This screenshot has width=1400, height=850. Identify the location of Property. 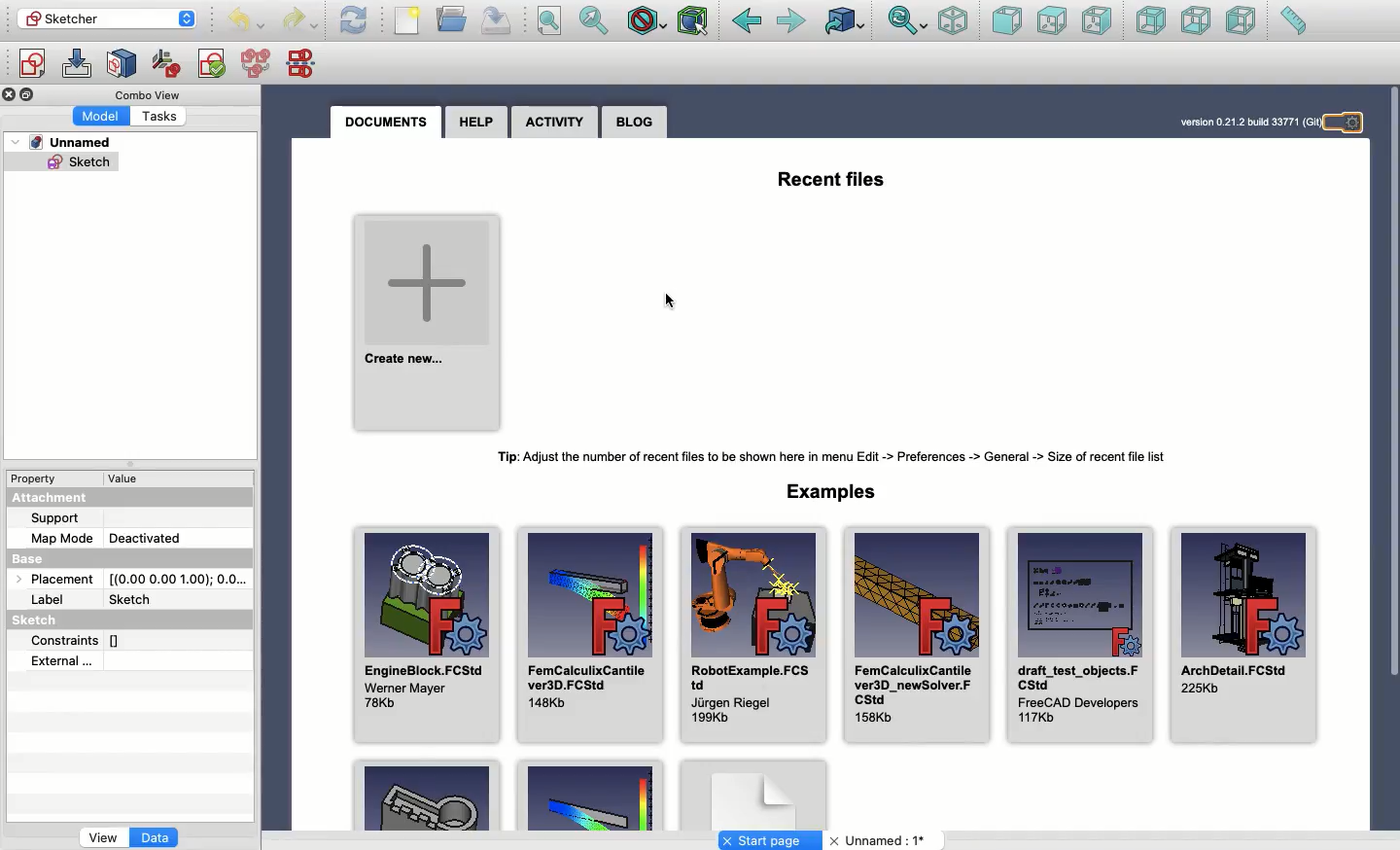
(39, 477).